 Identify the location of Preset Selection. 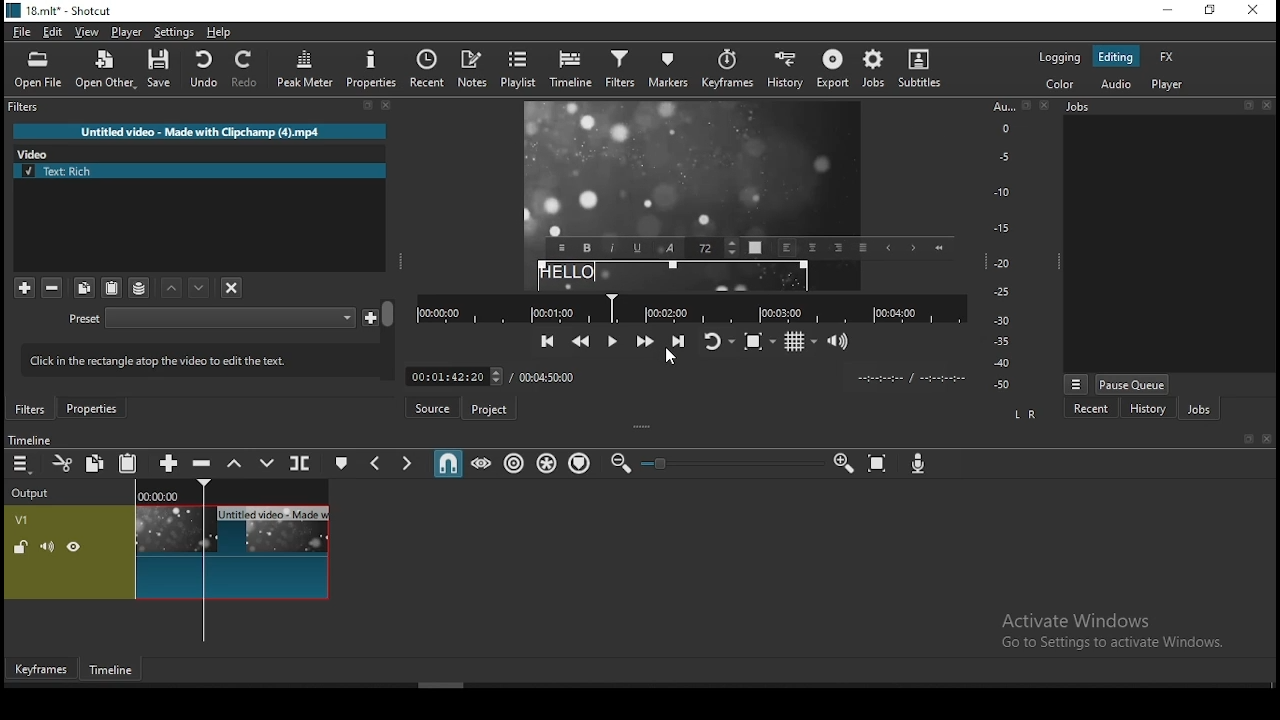
(230, 318).